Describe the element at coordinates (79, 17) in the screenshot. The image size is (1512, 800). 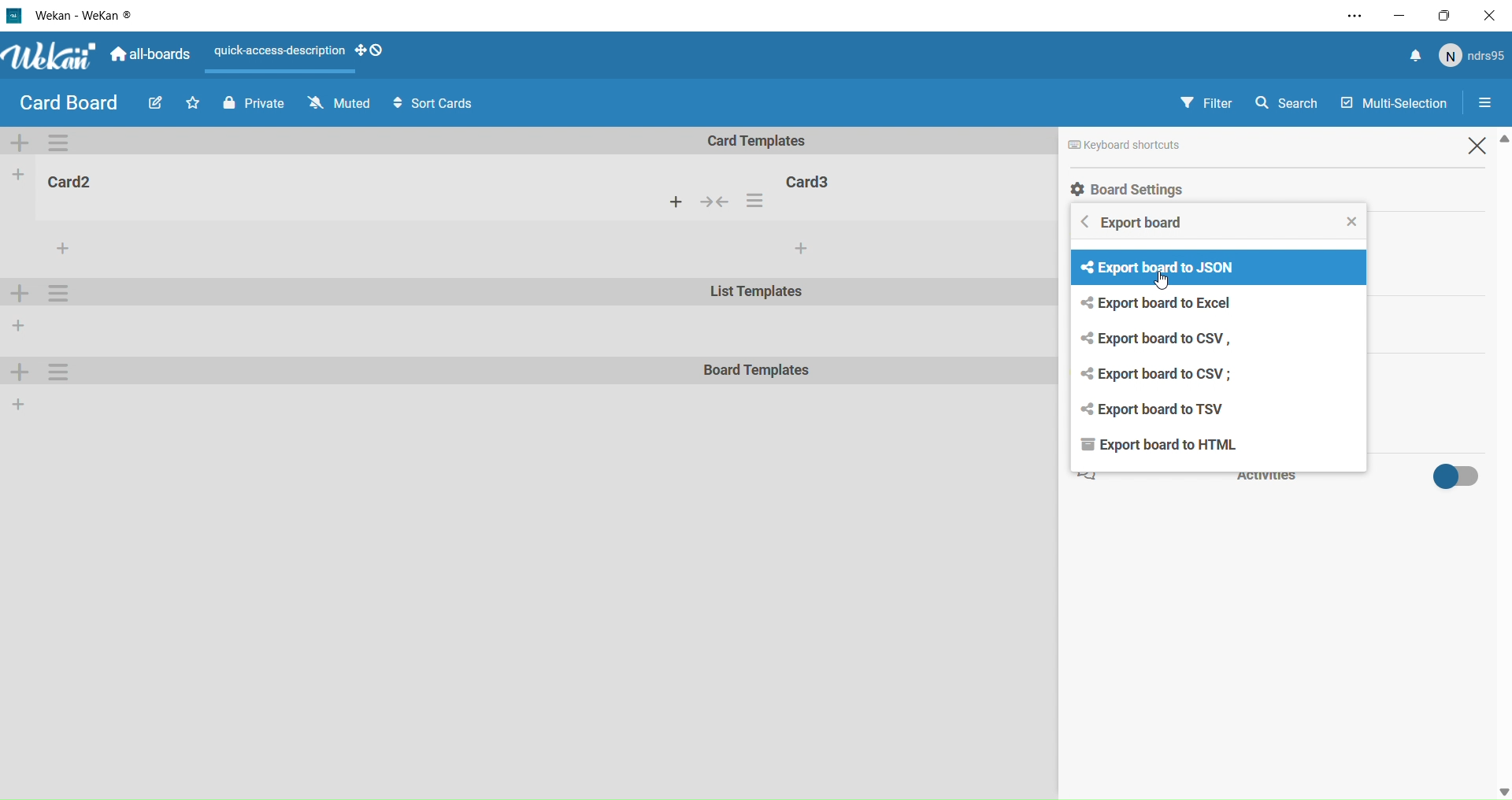
I see `` at that location.